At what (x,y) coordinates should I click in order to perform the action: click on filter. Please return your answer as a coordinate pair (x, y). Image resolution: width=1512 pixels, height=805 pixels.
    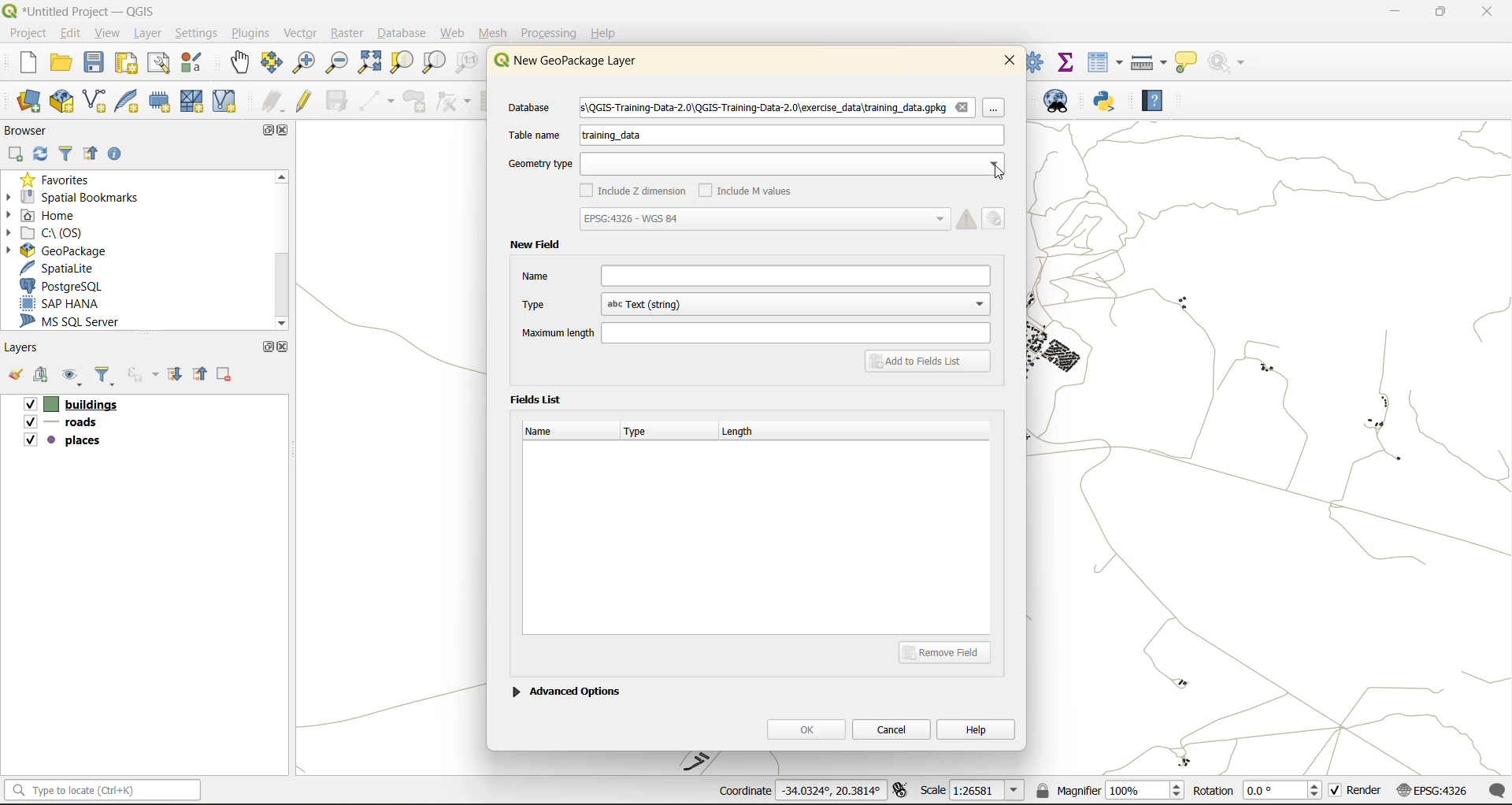
    Looking at the image, I should click on (108, 377).